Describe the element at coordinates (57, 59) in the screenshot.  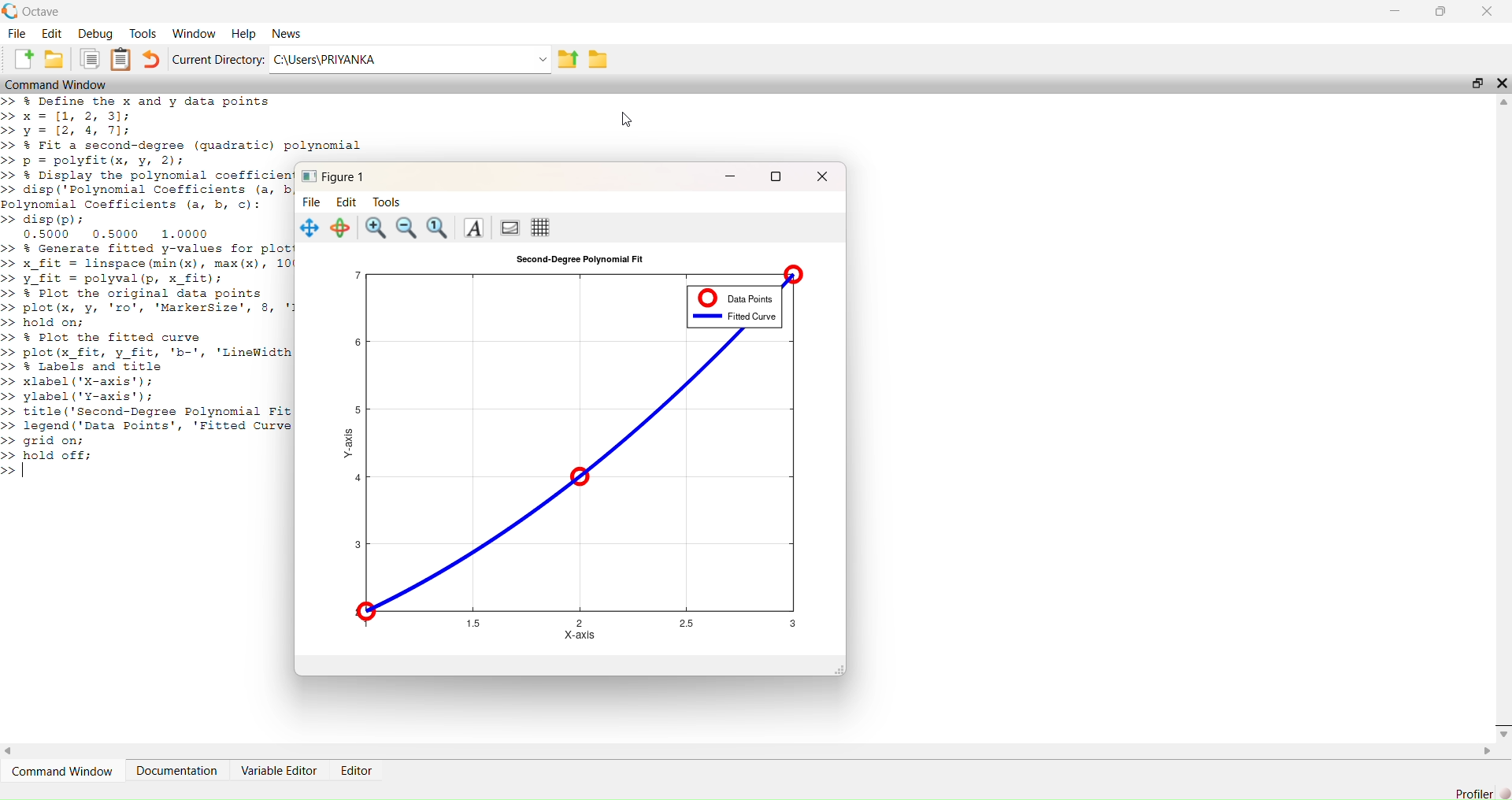
I see `Open an existing file in editor` at that location.